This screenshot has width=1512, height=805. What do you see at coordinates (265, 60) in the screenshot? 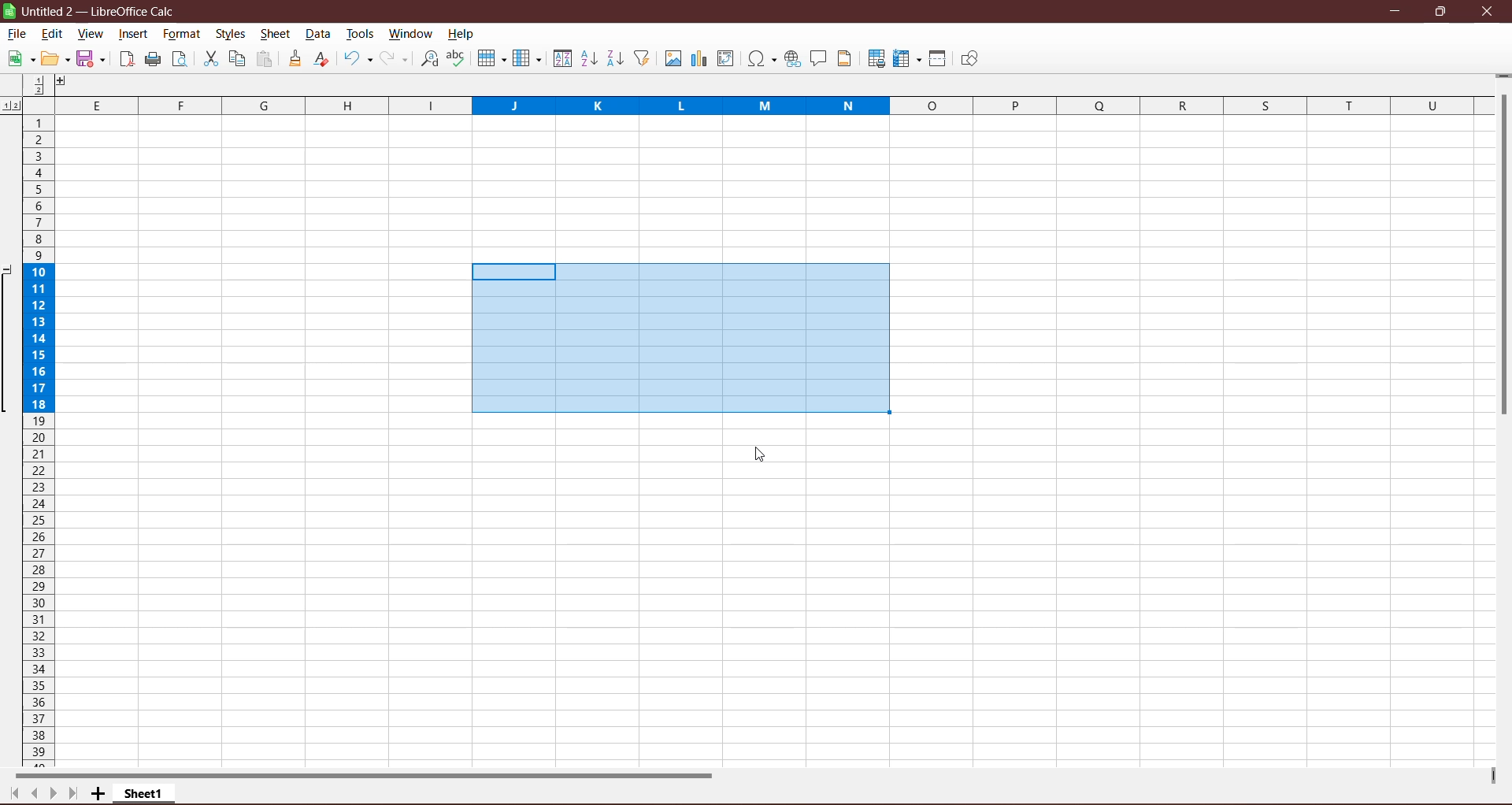
I see `Paste` at bounding box center [265, 60].